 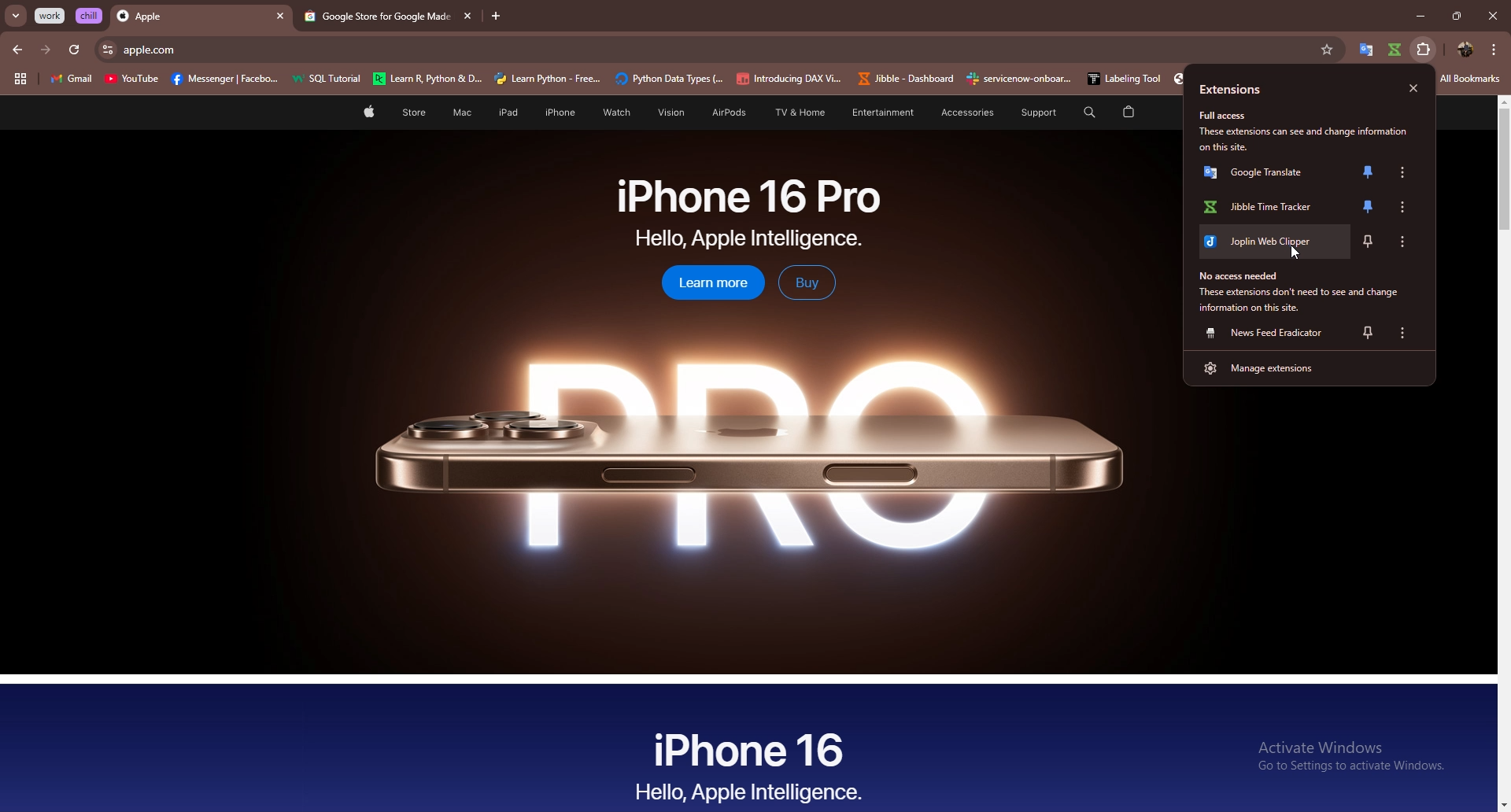 What do you see at coordinates (797, 113) in the screenshot?
I see `TV & Home` at bounding box center [797, 113].